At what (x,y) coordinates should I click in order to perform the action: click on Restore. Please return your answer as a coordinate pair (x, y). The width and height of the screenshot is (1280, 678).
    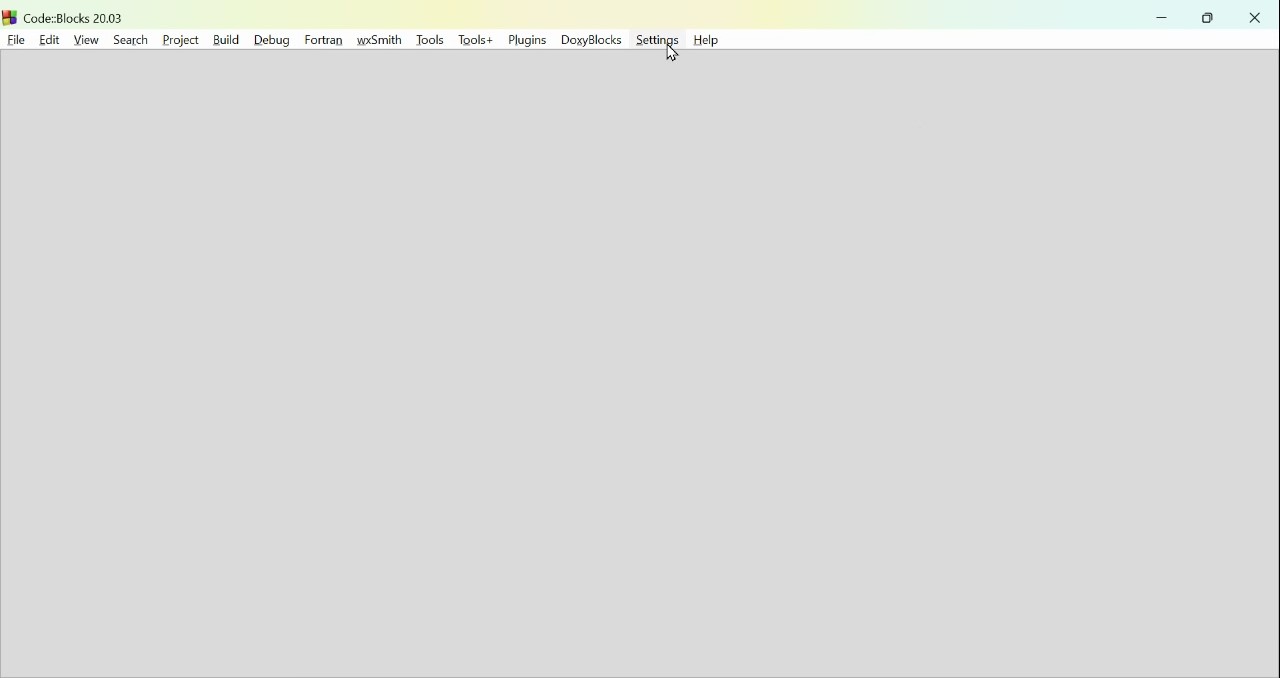
    Looking at the image, I should click on (1210, 18).